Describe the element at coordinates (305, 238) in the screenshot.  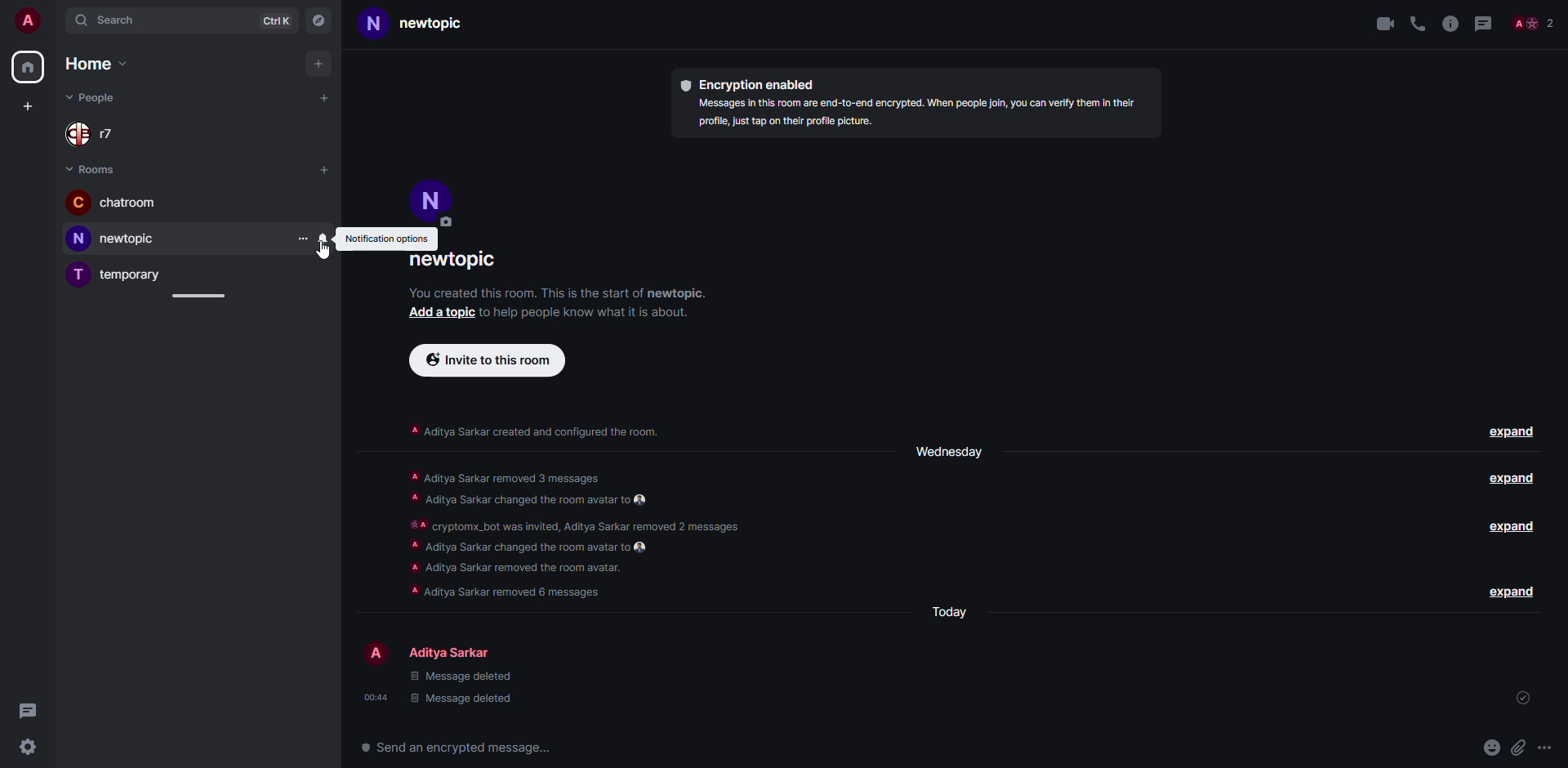
I see `more` at that location.